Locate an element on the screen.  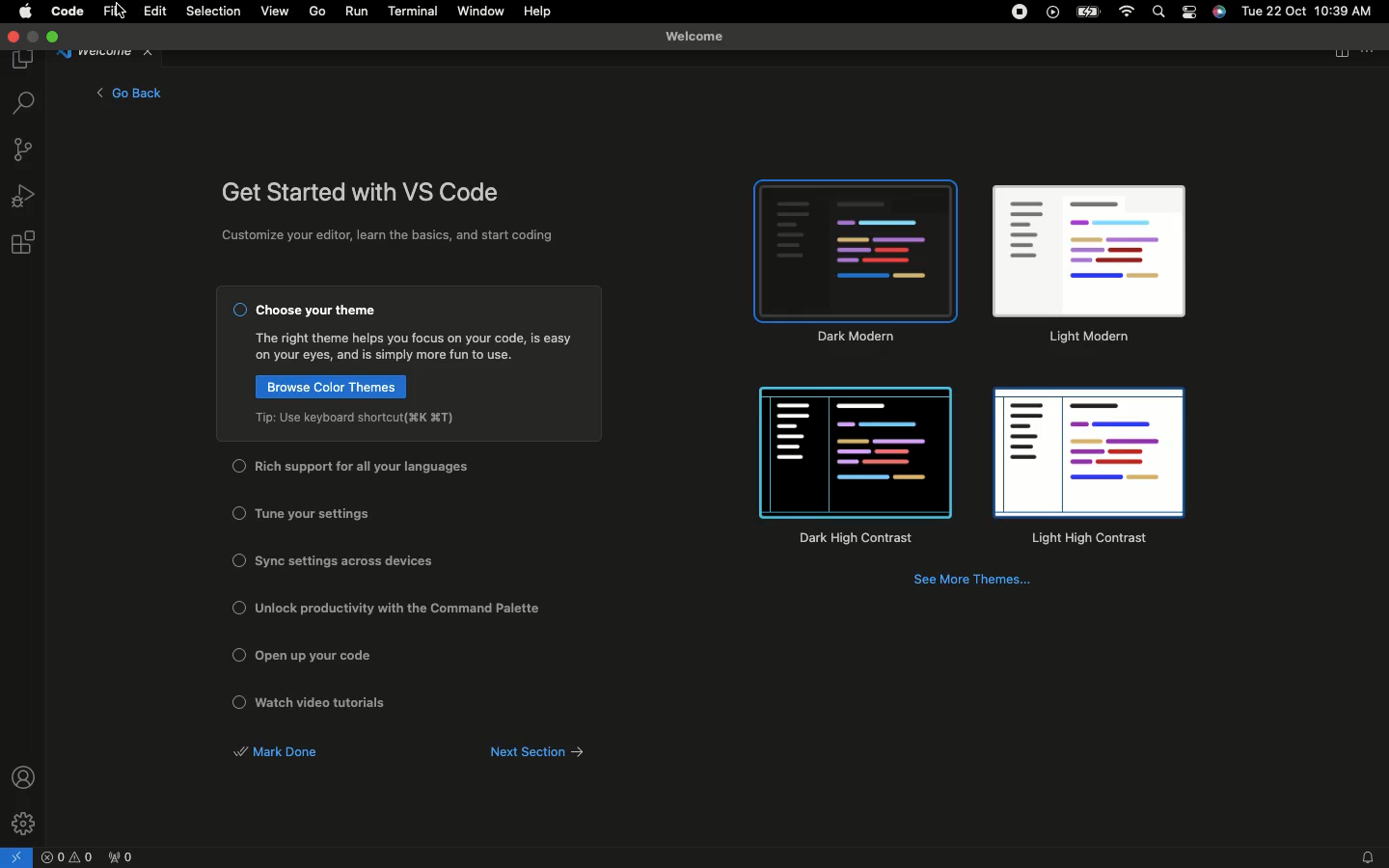
Get started with VS code is located at coordinates (364, 194).